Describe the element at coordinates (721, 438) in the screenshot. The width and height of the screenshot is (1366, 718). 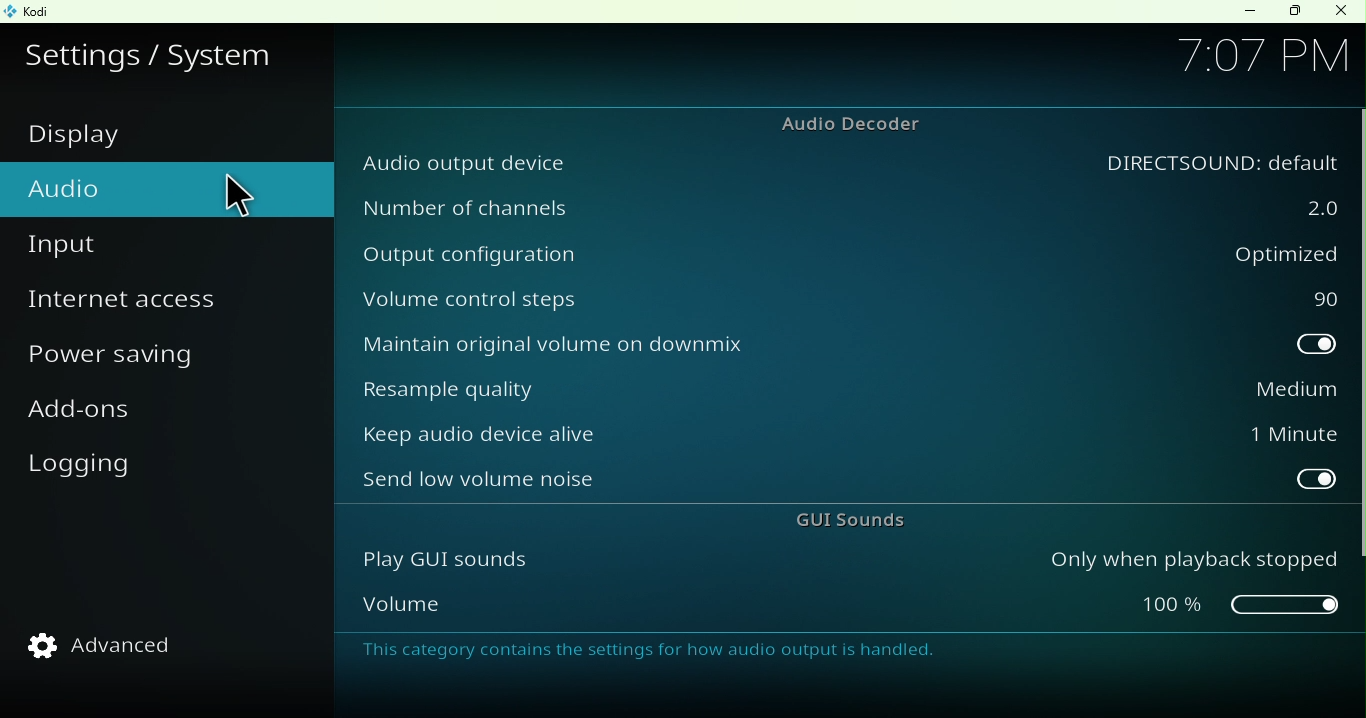
I see `Keep audio device alive` at that location.